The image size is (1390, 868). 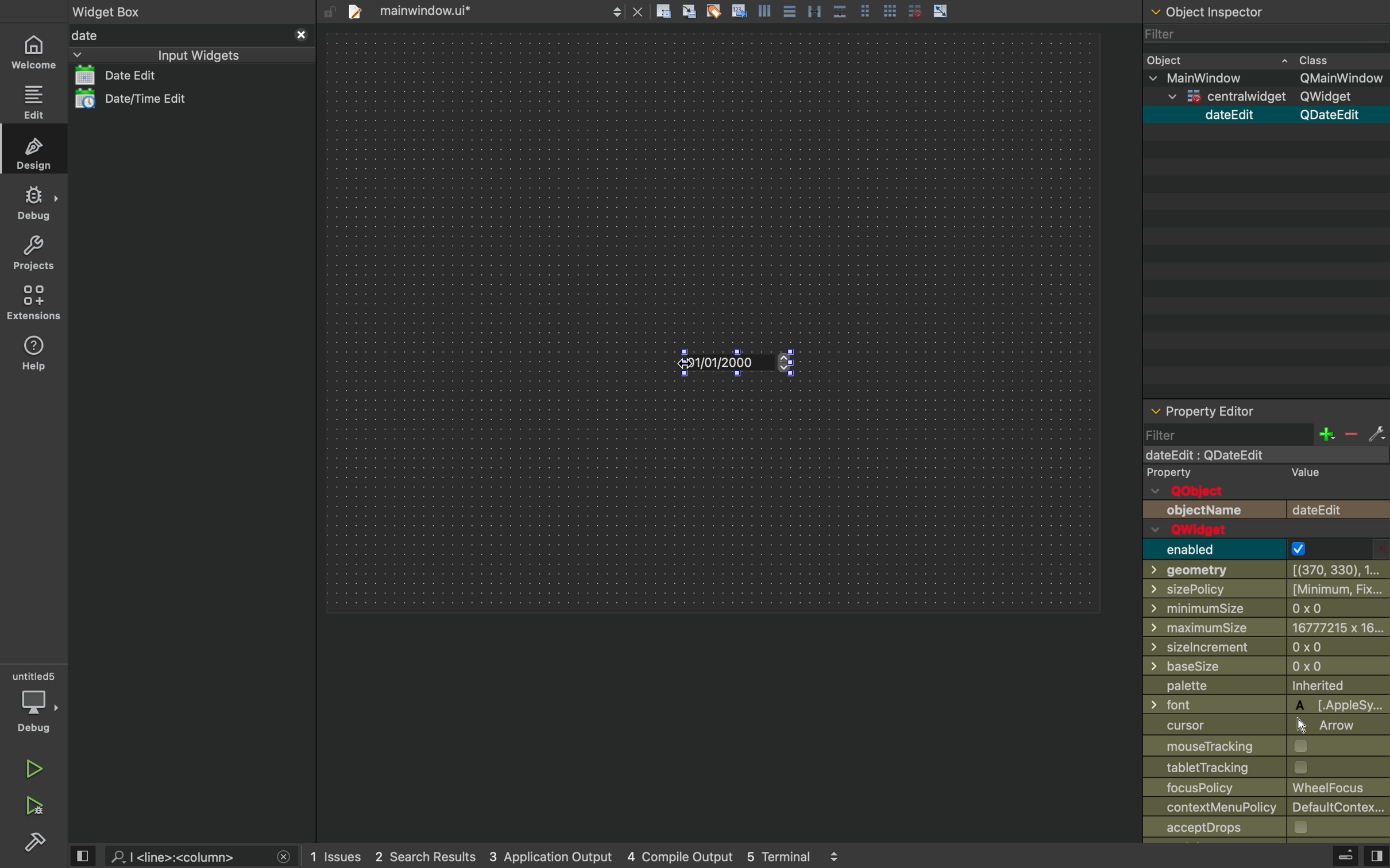 What do you see at coordinates (941, 10) in the screenshot?
I see `scale object` at bounding box center [941, 10].